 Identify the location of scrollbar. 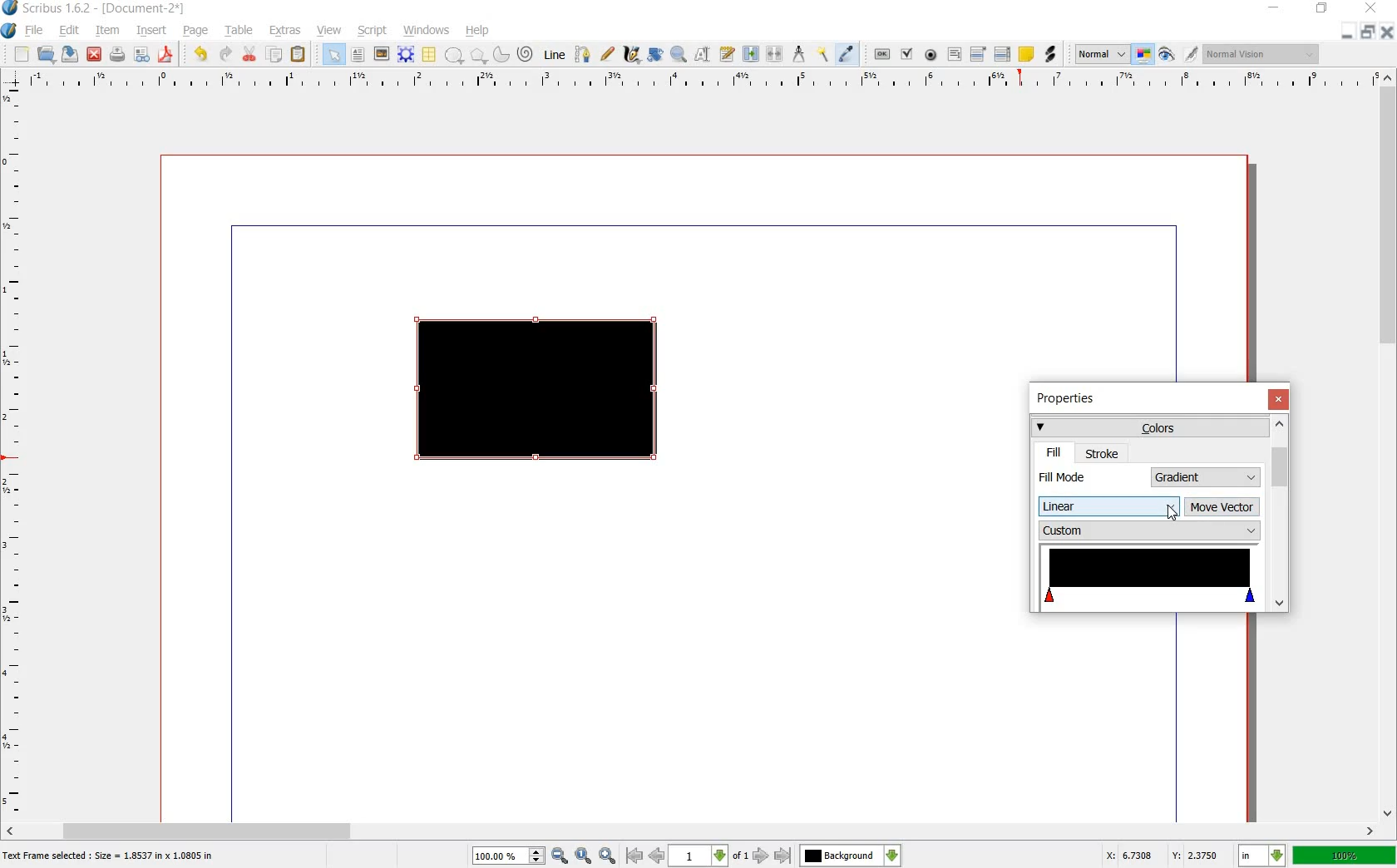
(1279, 513).